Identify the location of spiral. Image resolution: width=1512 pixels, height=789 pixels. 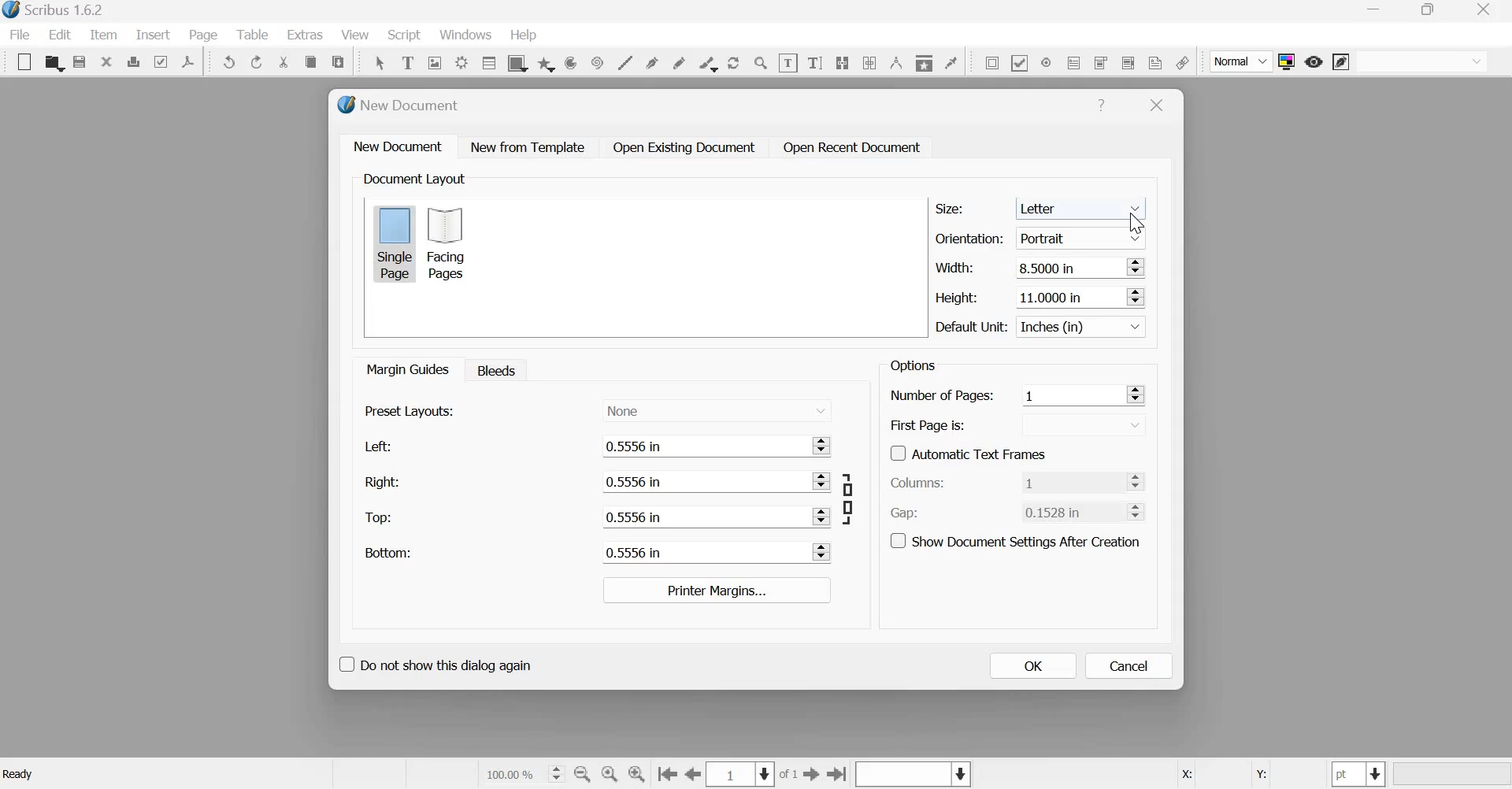
(595, 61).